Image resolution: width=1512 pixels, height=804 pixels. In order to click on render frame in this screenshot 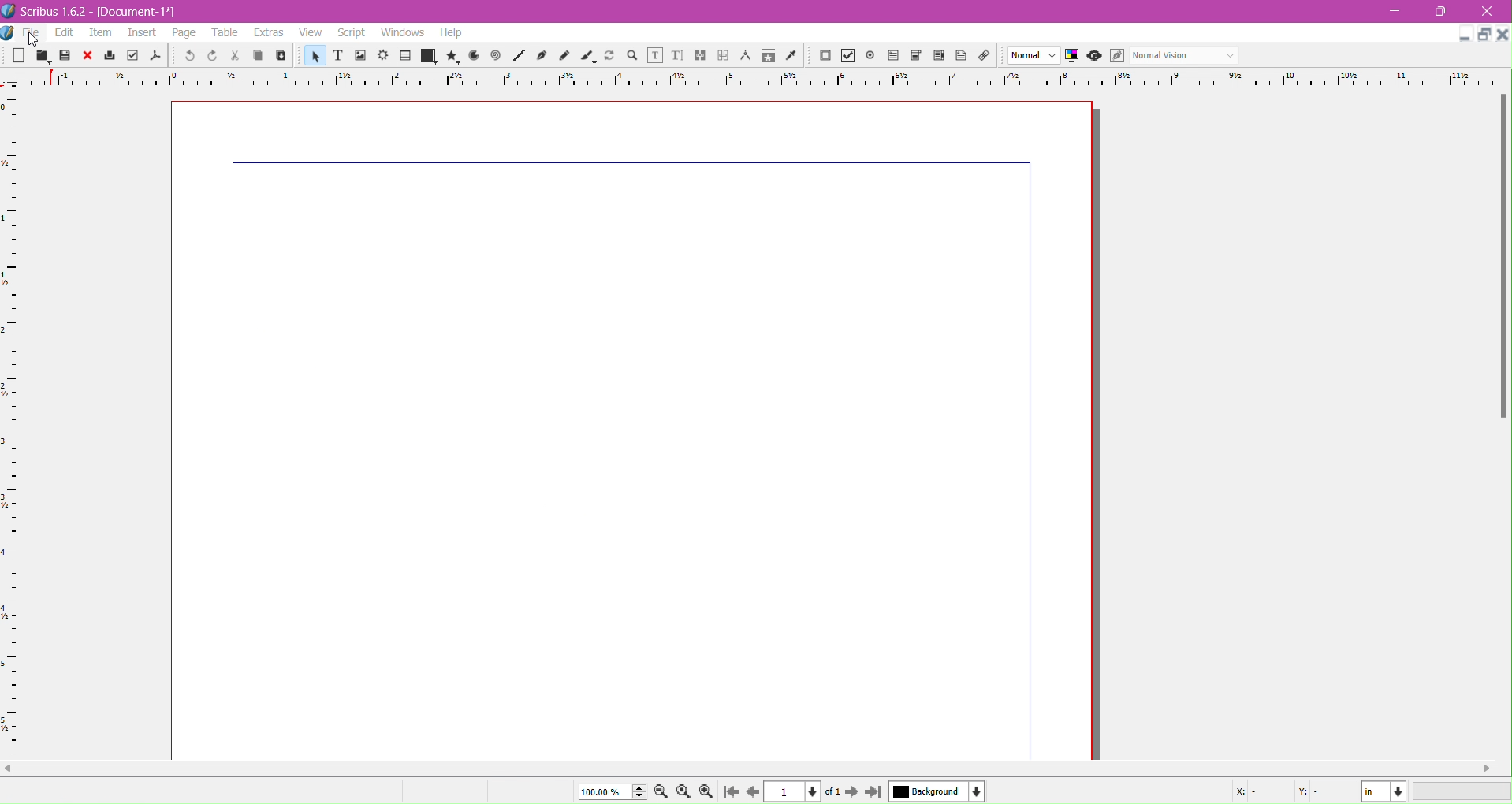, I will do `click(382, 56)`.